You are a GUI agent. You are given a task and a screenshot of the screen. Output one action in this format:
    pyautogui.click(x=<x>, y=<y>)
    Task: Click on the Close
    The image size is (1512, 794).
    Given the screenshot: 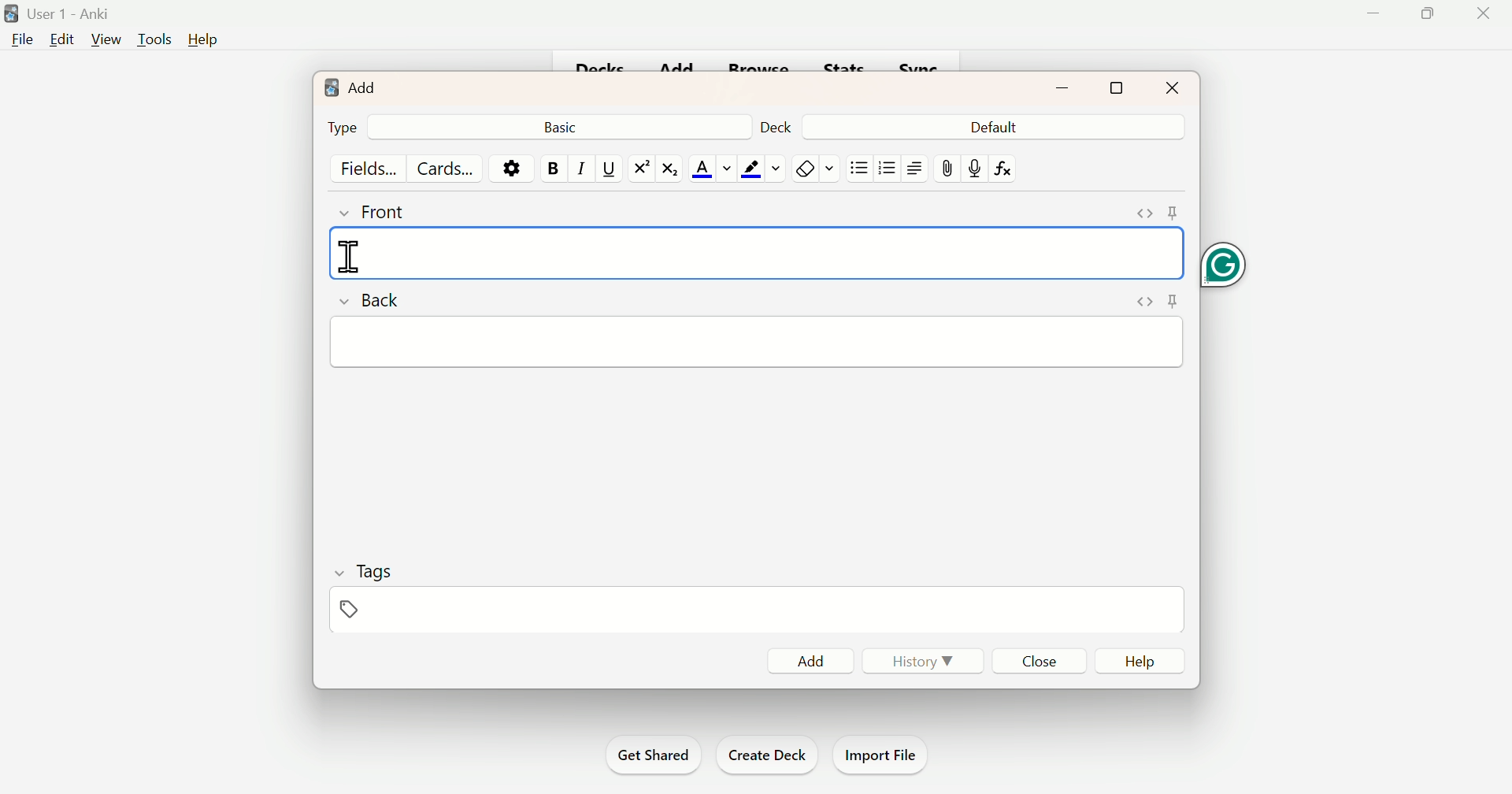 What is the action you would take?
    pyautogui.click(x=1036, y=660)
    